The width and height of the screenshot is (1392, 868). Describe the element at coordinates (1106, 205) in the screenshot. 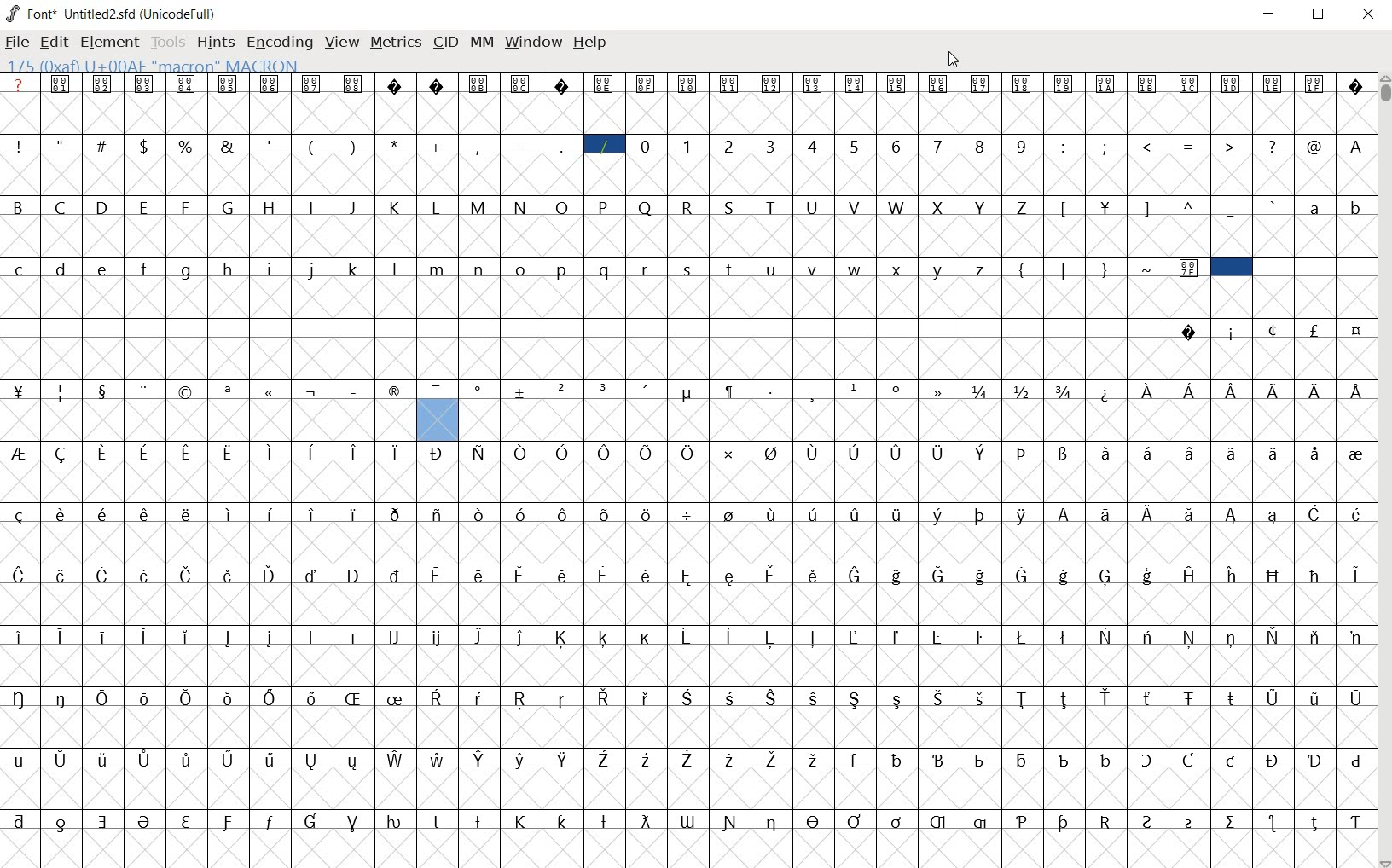

I see `Symbol` at that location.